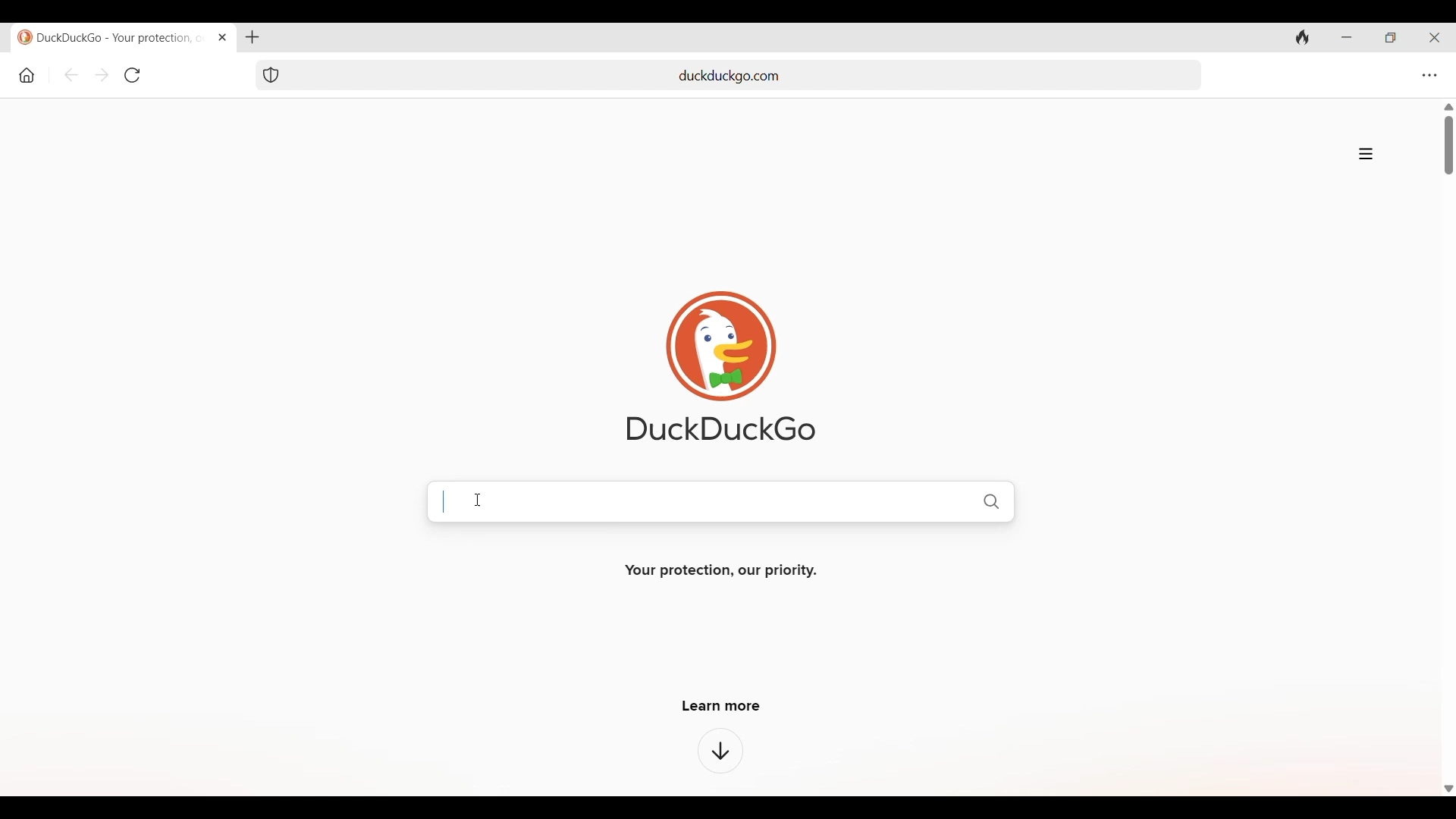  I want to click on Learn more, so click(721, 705).